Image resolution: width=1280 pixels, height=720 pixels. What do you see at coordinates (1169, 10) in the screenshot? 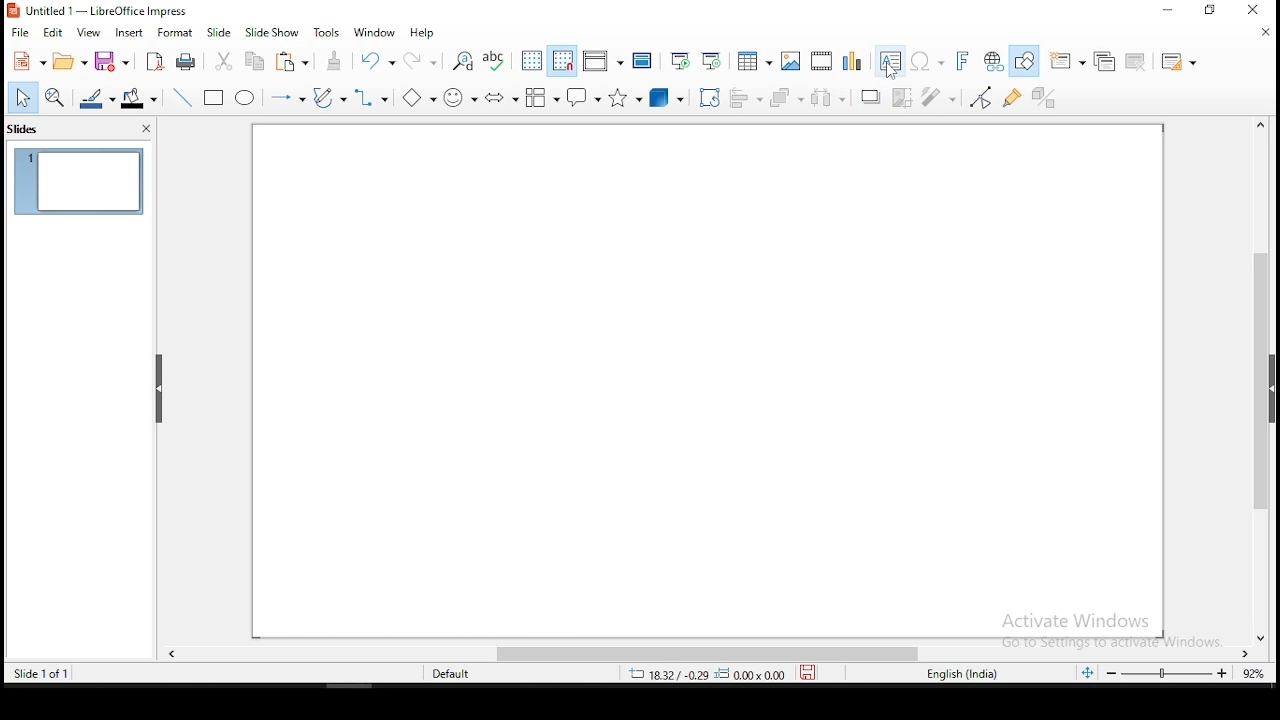
I see `minimize` at bounding box center [1169, 10].